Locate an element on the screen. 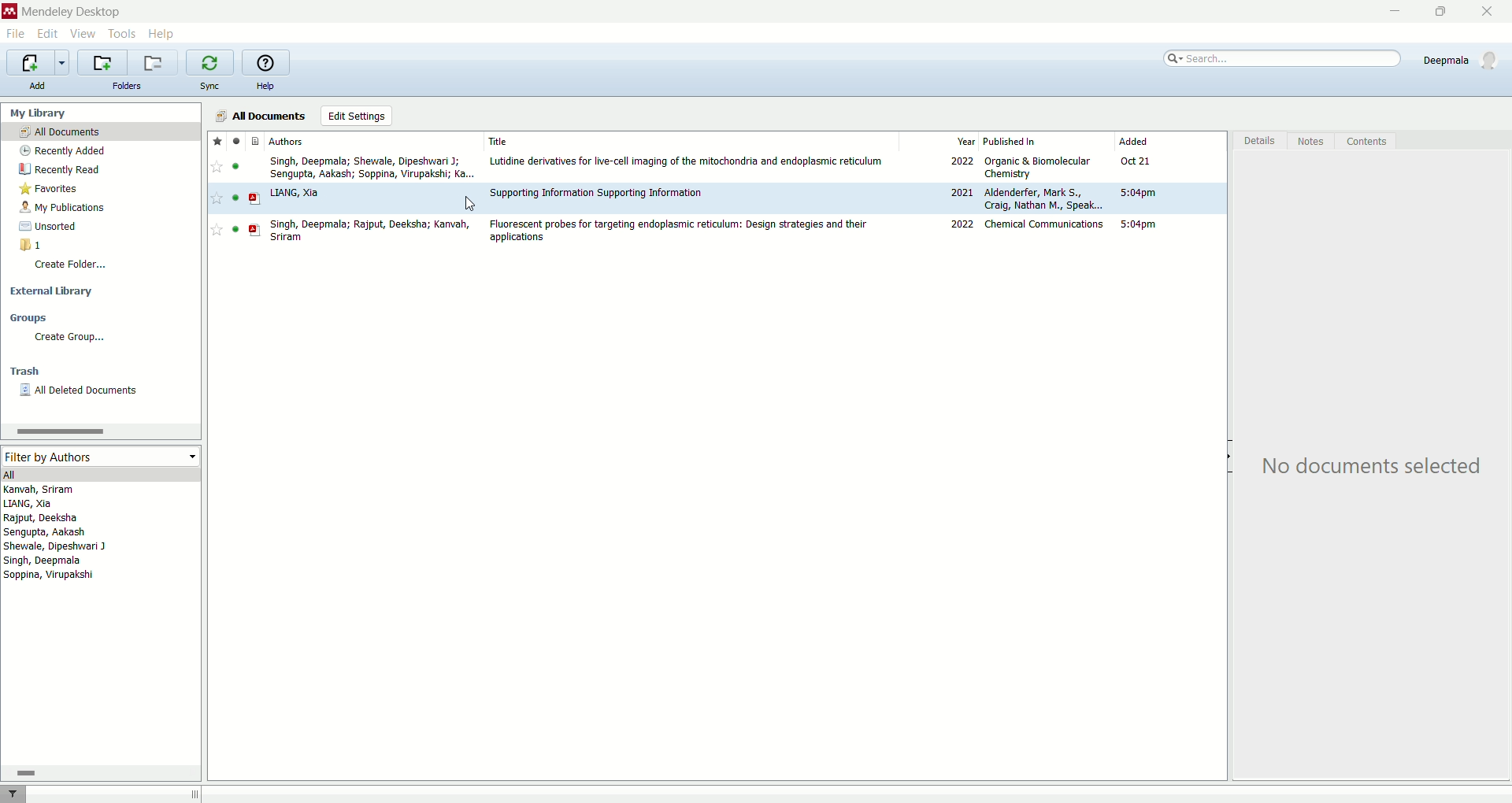 Image resolution: width=1512 pixels, height=803 pixels. LIANG, Xia is located at coordinates (295, 194).